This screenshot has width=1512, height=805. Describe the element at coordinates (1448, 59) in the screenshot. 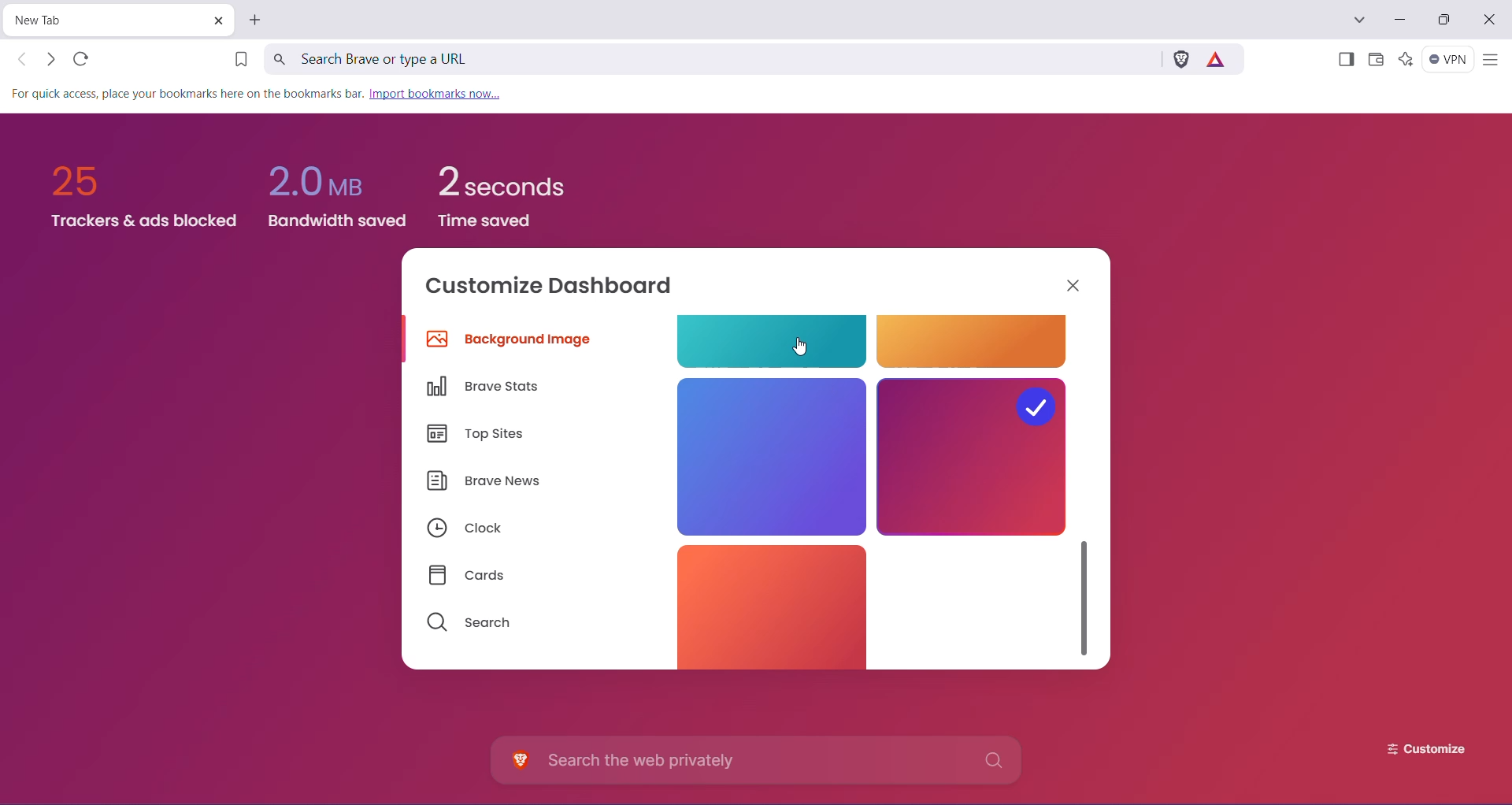

I see `Brave Firewall + VPN` at that location.